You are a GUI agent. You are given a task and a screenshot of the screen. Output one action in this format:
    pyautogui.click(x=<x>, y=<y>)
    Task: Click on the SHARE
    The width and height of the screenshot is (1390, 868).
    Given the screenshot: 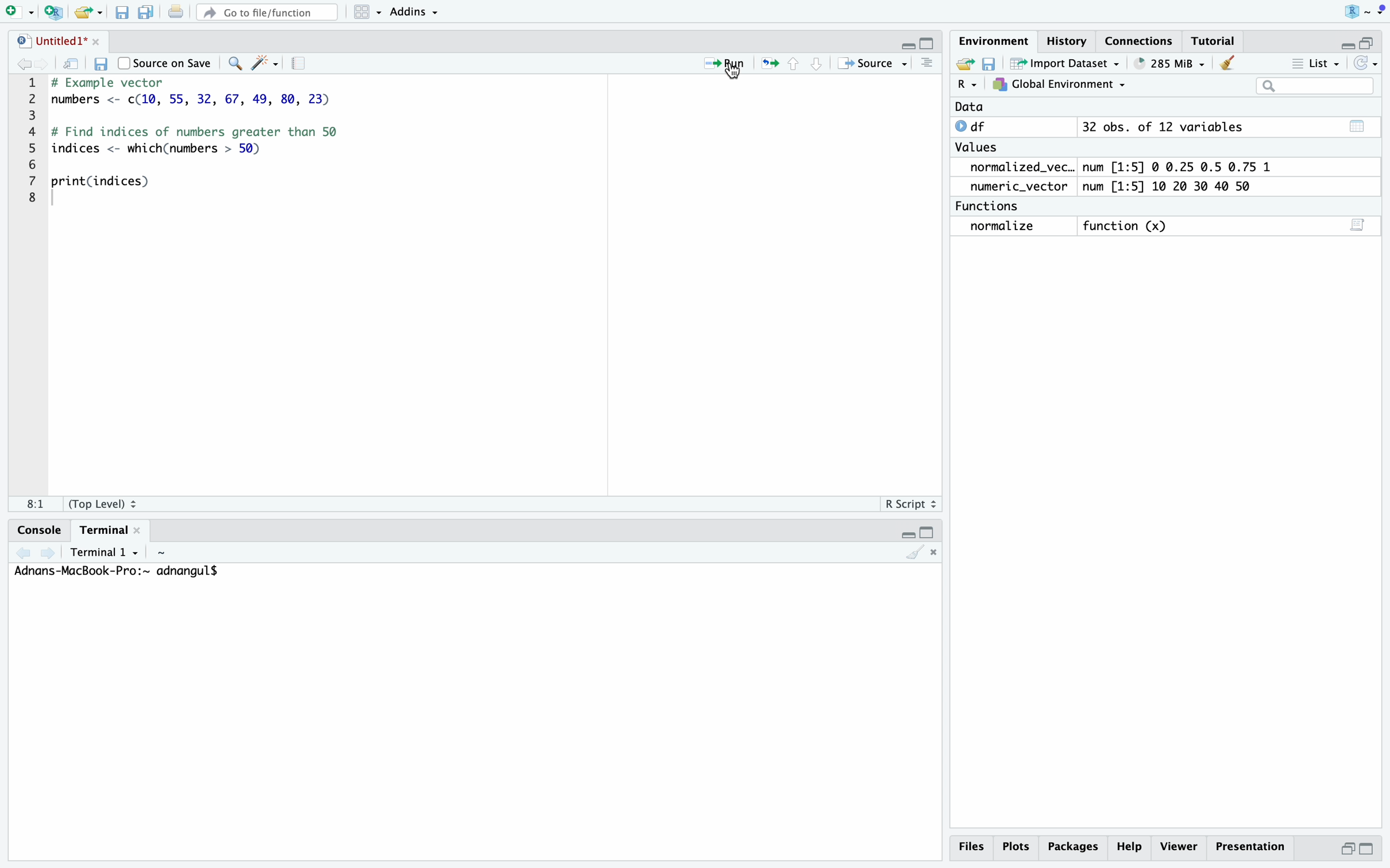 What is the action you would take?
    pyautogui.click(x=963, y=64)
    